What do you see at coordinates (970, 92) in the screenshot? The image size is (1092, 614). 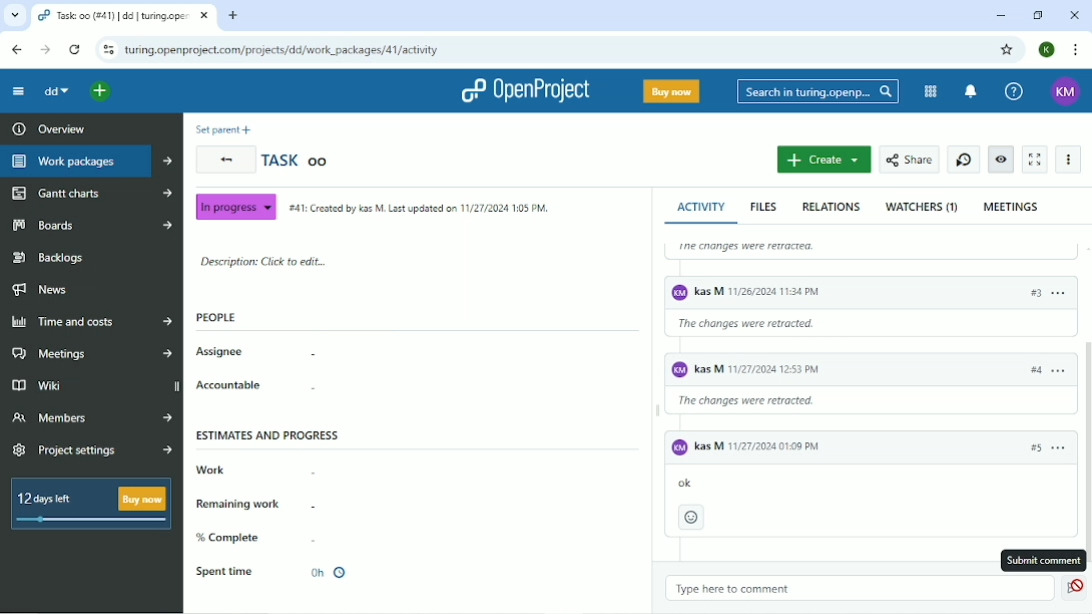 I see `To notification center` at bounding box center [970, 92].